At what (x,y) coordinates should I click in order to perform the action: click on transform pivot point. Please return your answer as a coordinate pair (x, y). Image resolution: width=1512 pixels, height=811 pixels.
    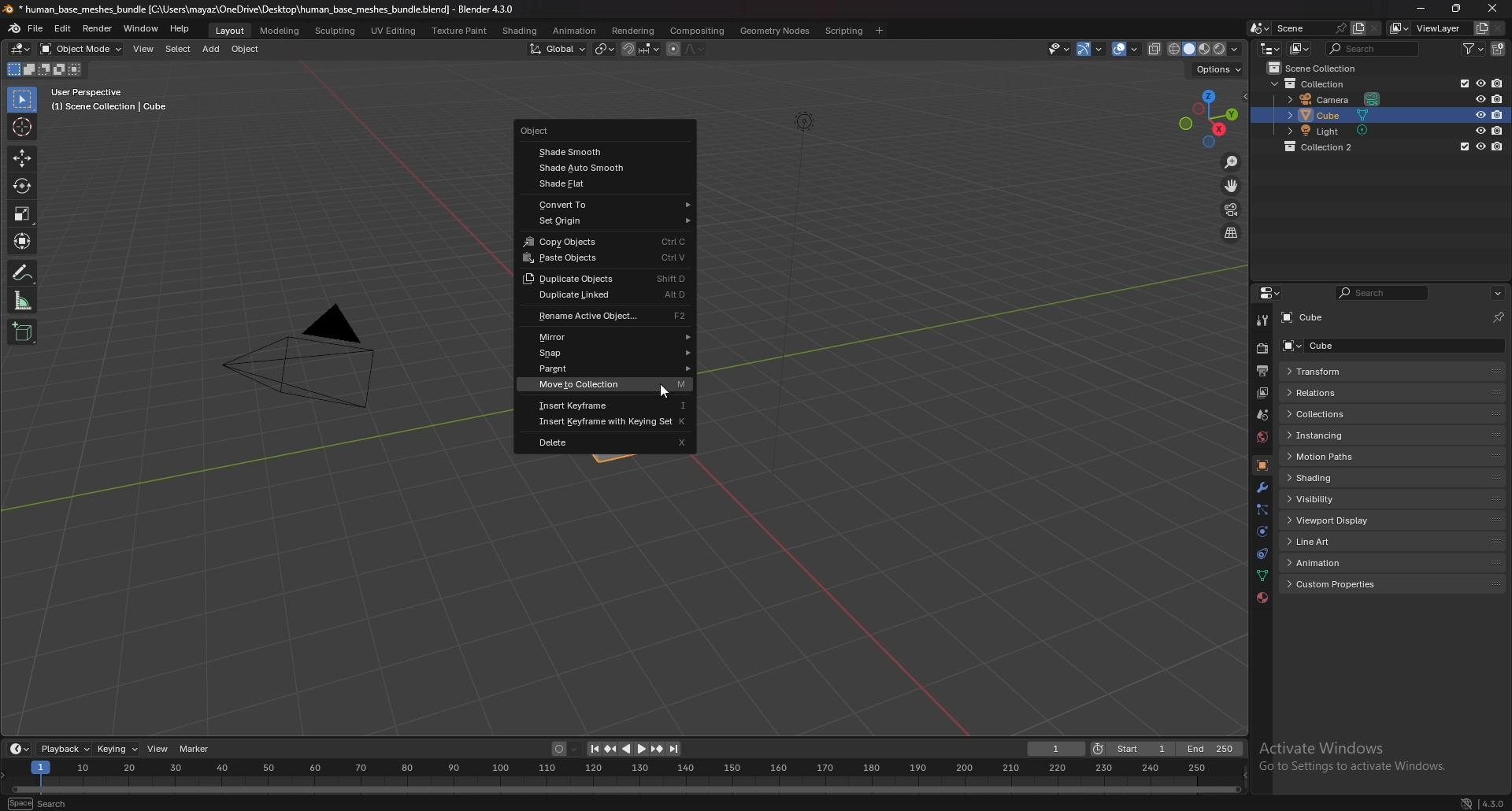
    Looking at the image, I should click on (605, 49).